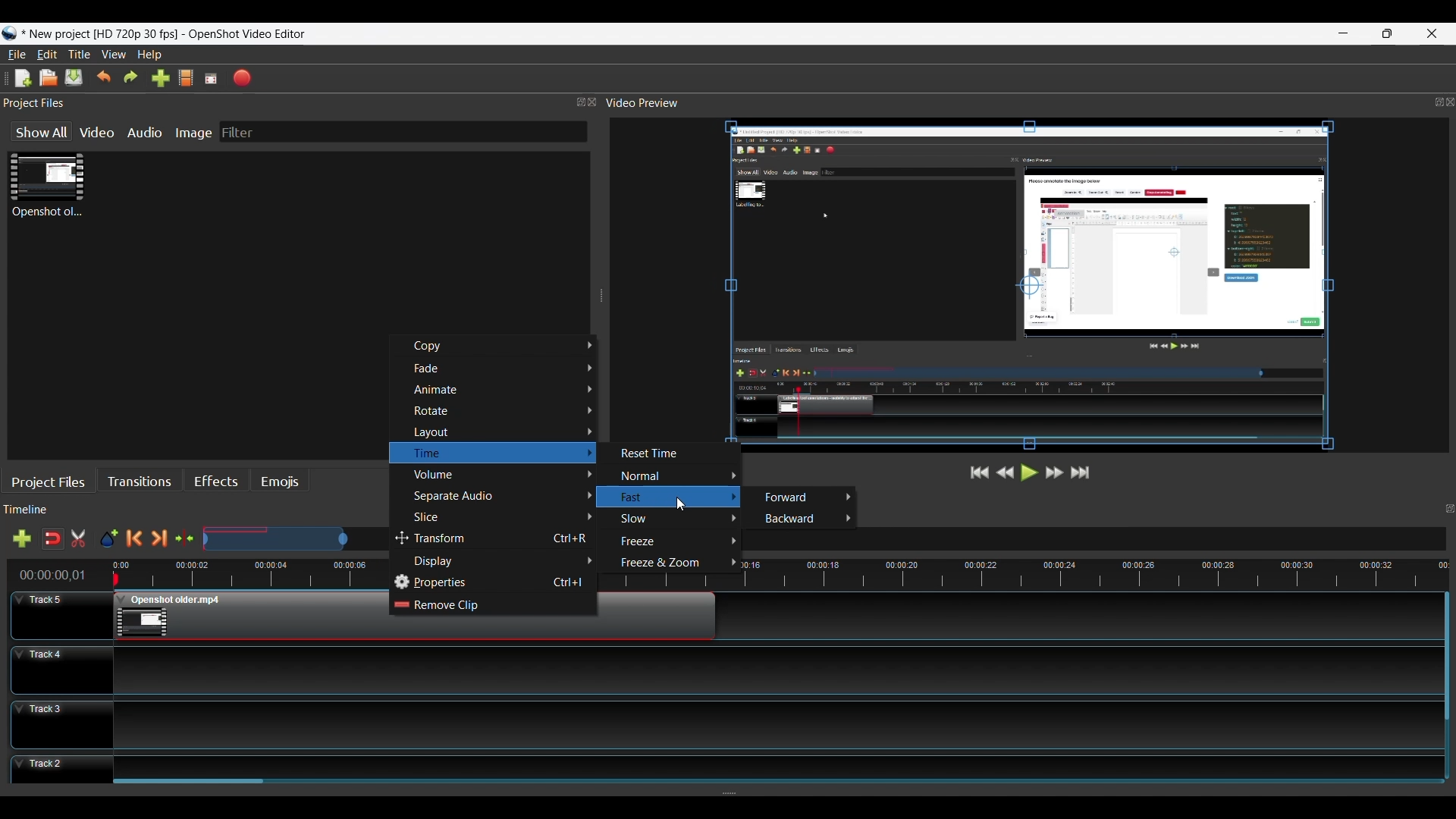 Image resolution: width=1456 pixels, height=819 pixels. I want to click on Import Files, so click(161, 78).